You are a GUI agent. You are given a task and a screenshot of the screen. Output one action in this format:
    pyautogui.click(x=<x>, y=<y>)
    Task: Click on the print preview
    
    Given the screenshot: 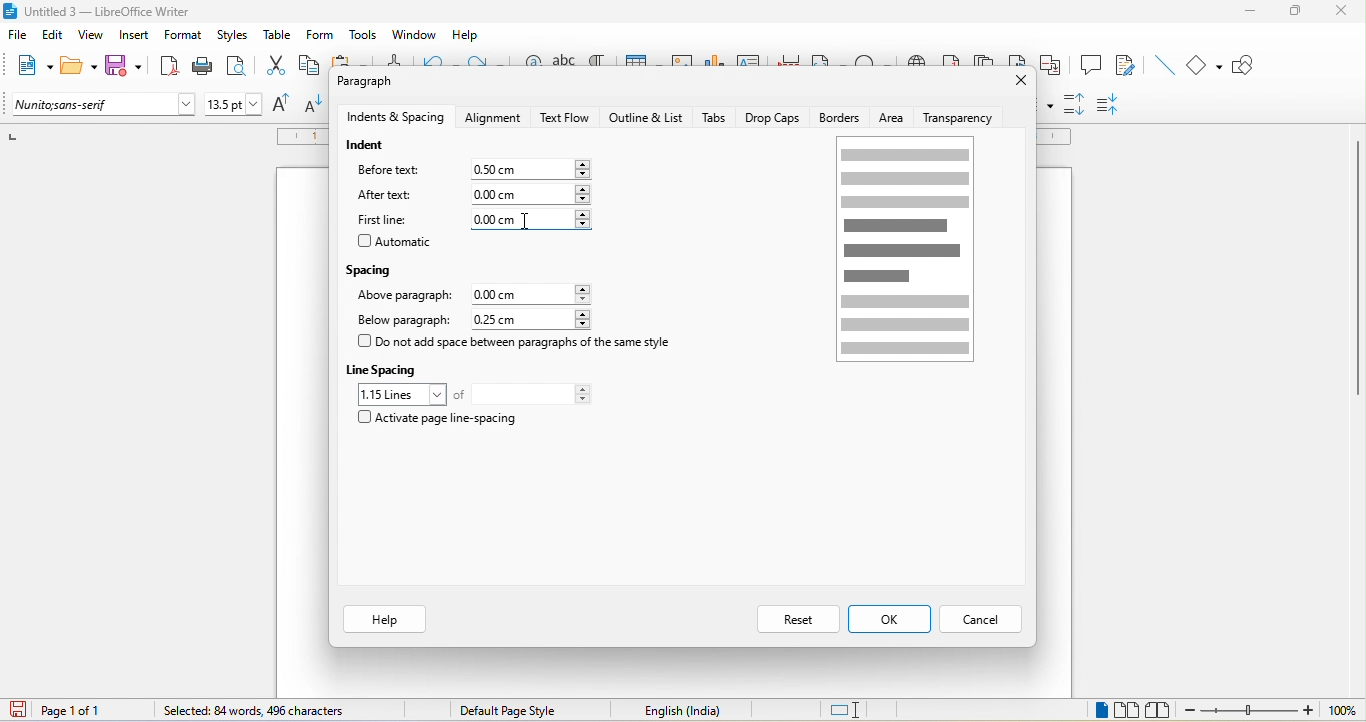 What is the action you would take?
    pyautogui.click(x=241, y=66)
    